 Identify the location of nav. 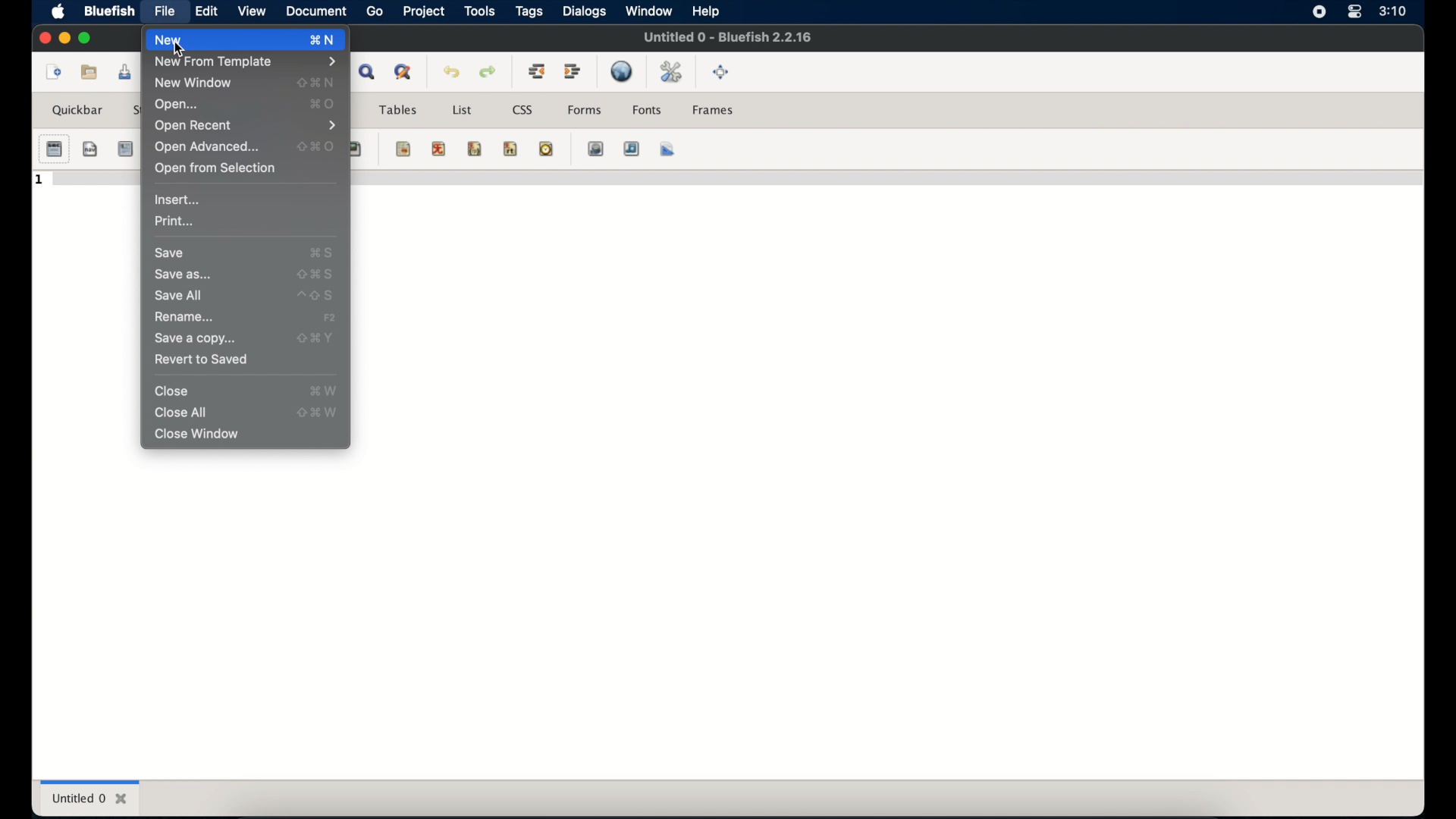
(91, 149).